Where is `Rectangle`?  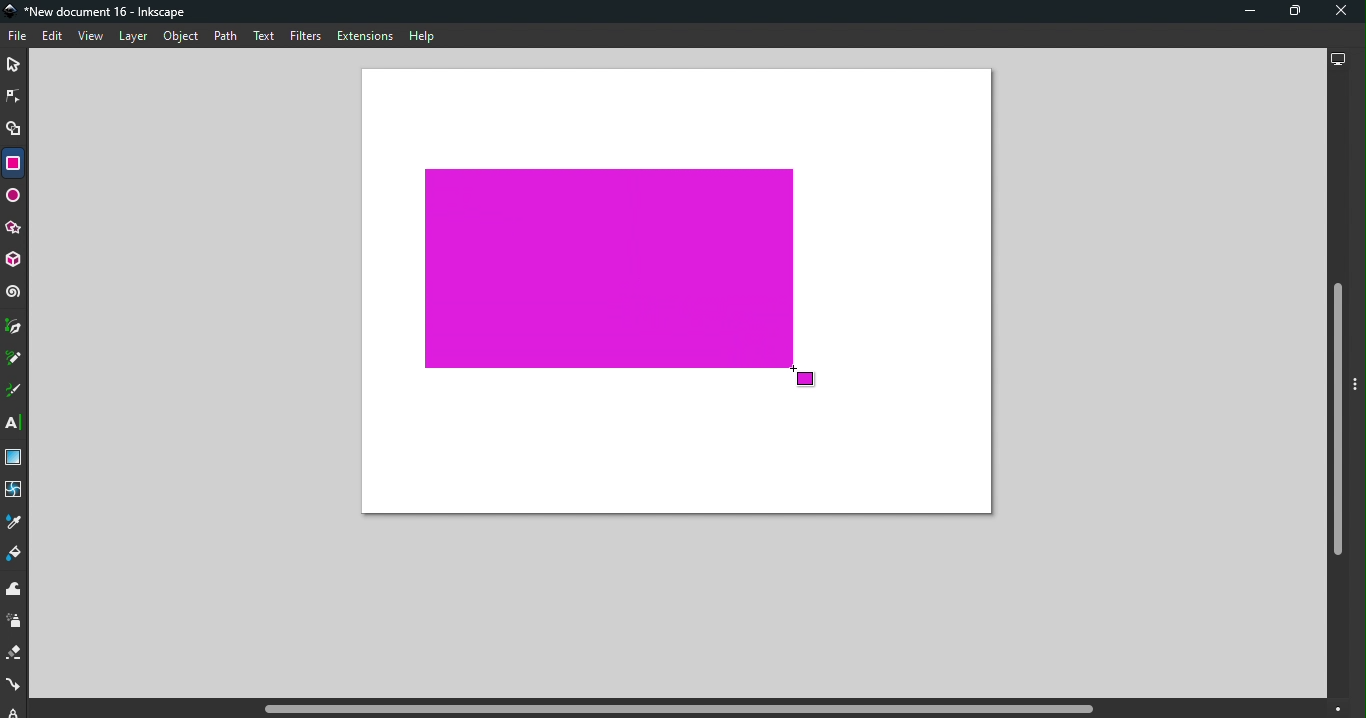
Rectangle is located at coordinates (609, 270).